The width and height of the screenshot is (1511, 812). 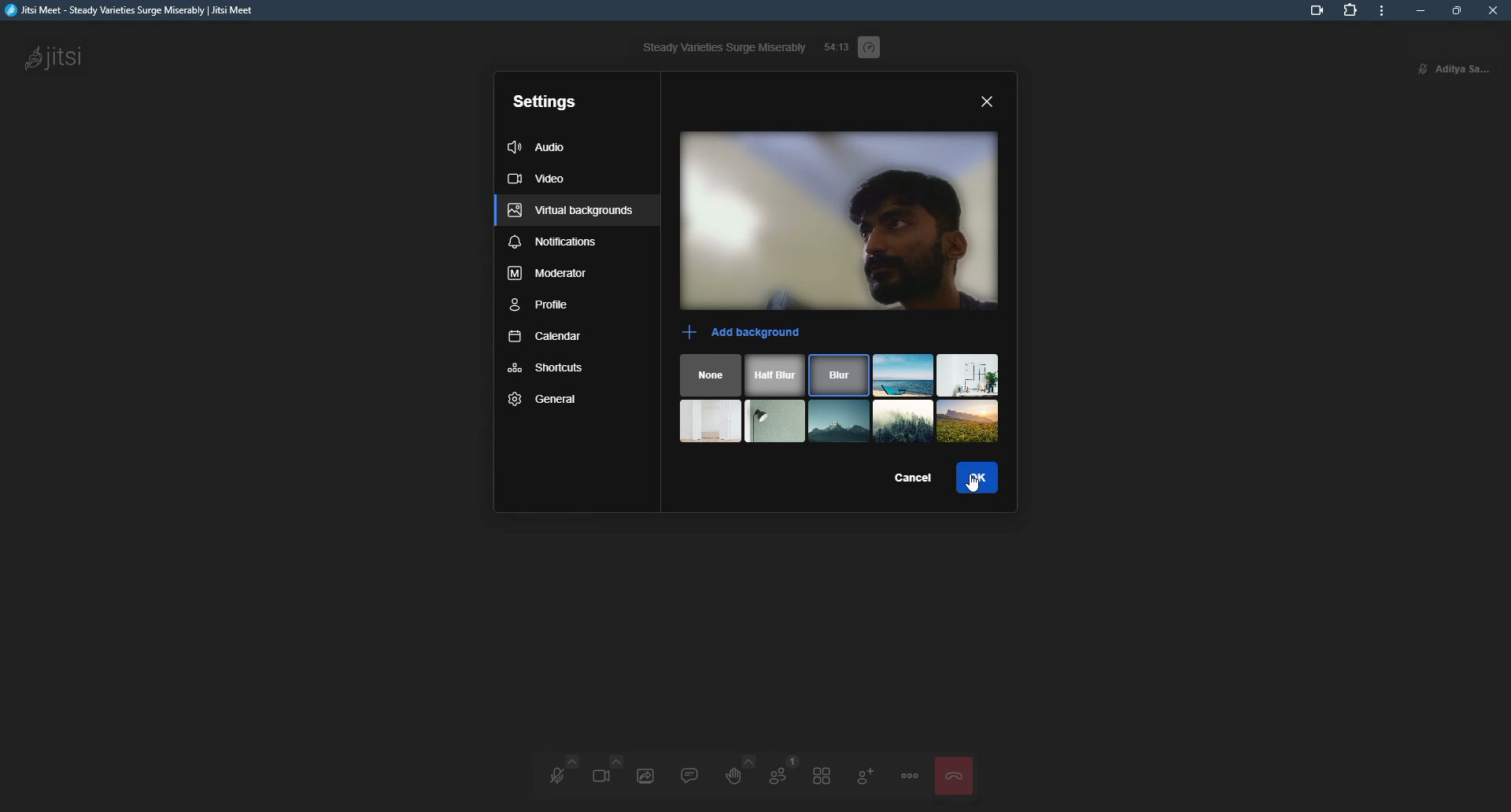 I want to click on scenery, so click(x=839, y=420).